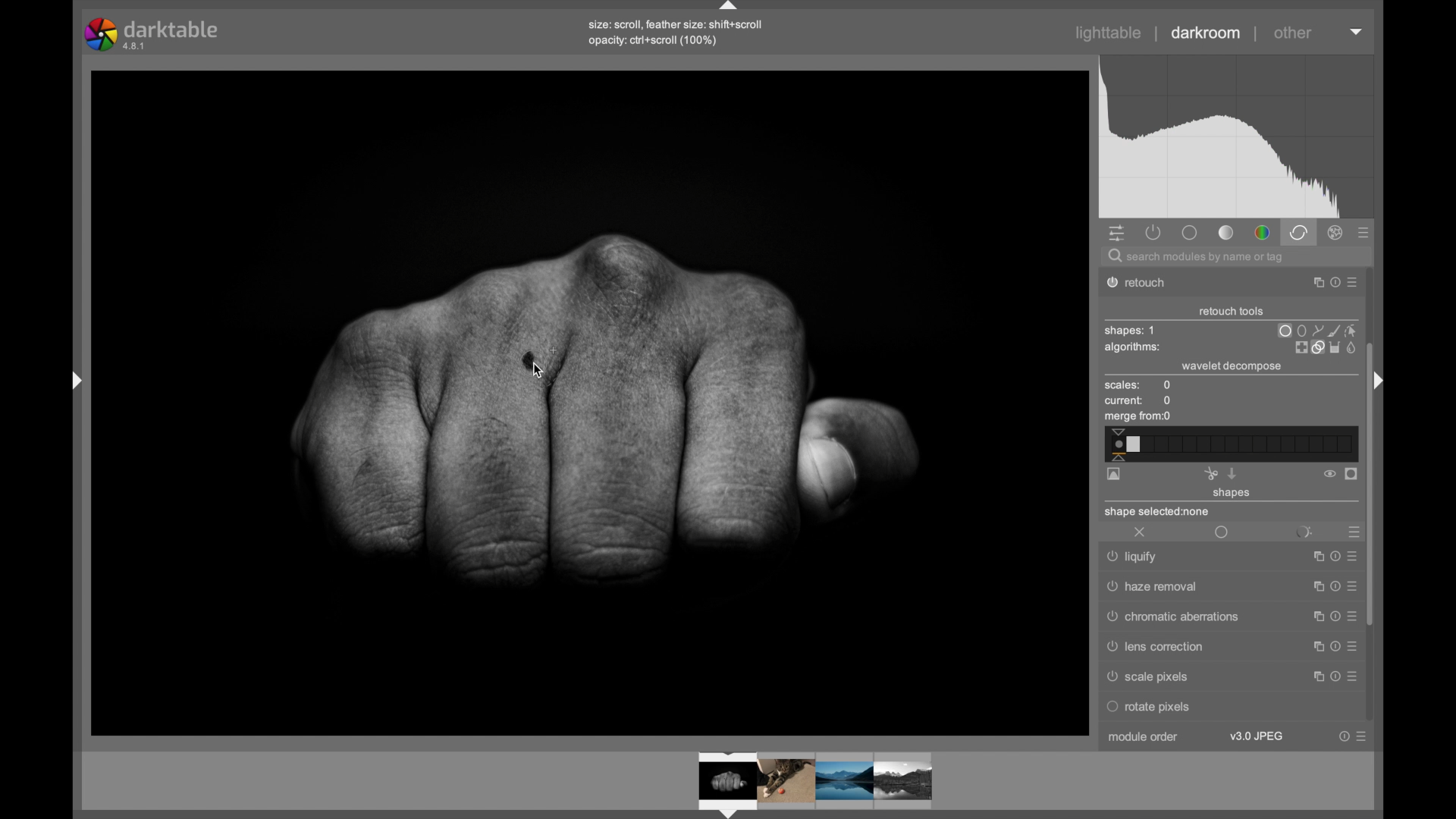  Describe the element at coordinates (1332, 676) in the screenshot. I see `help` at that location.